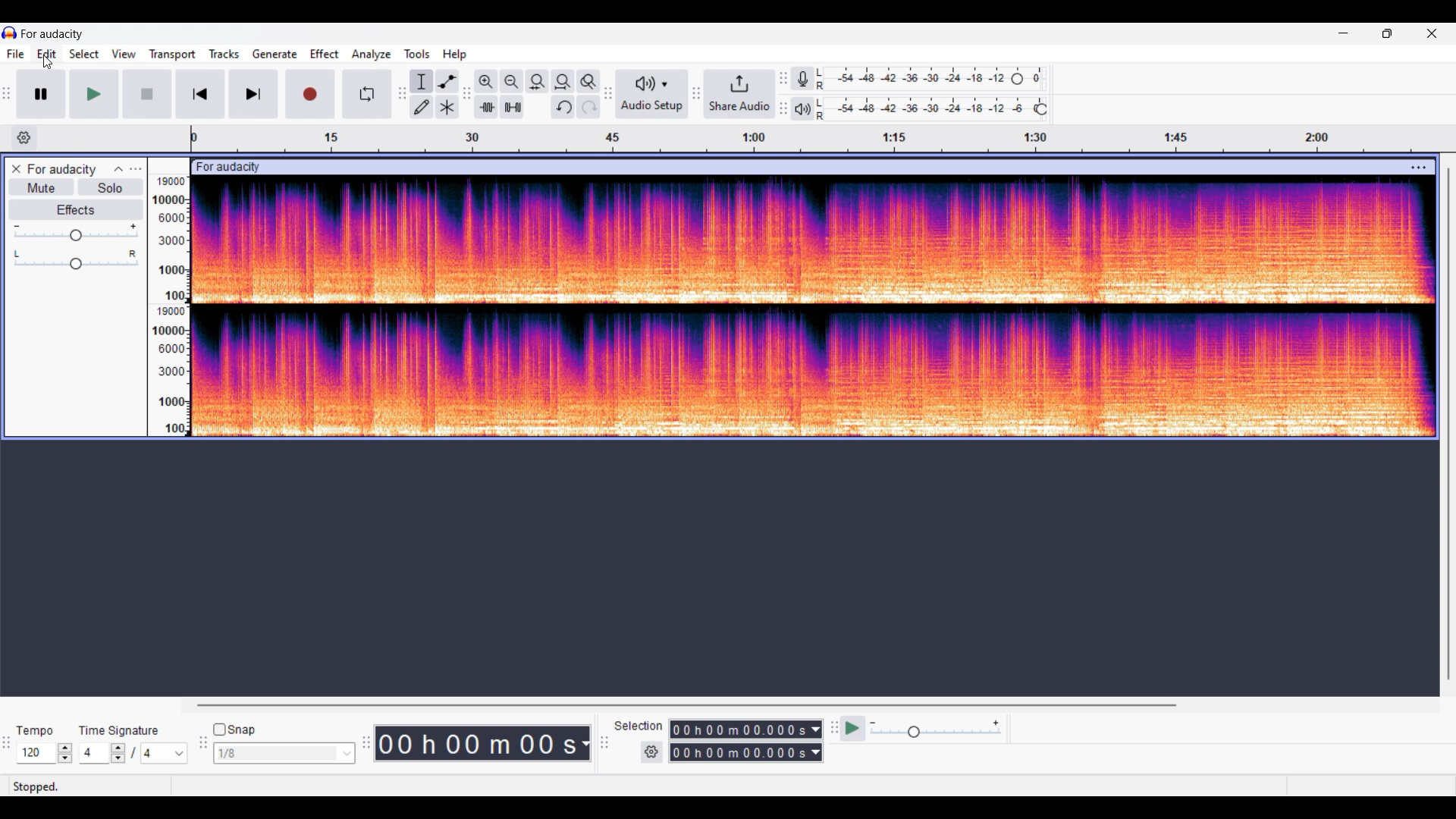  I want to click on Track view changed to Spectrogram view, so click(814, 307).